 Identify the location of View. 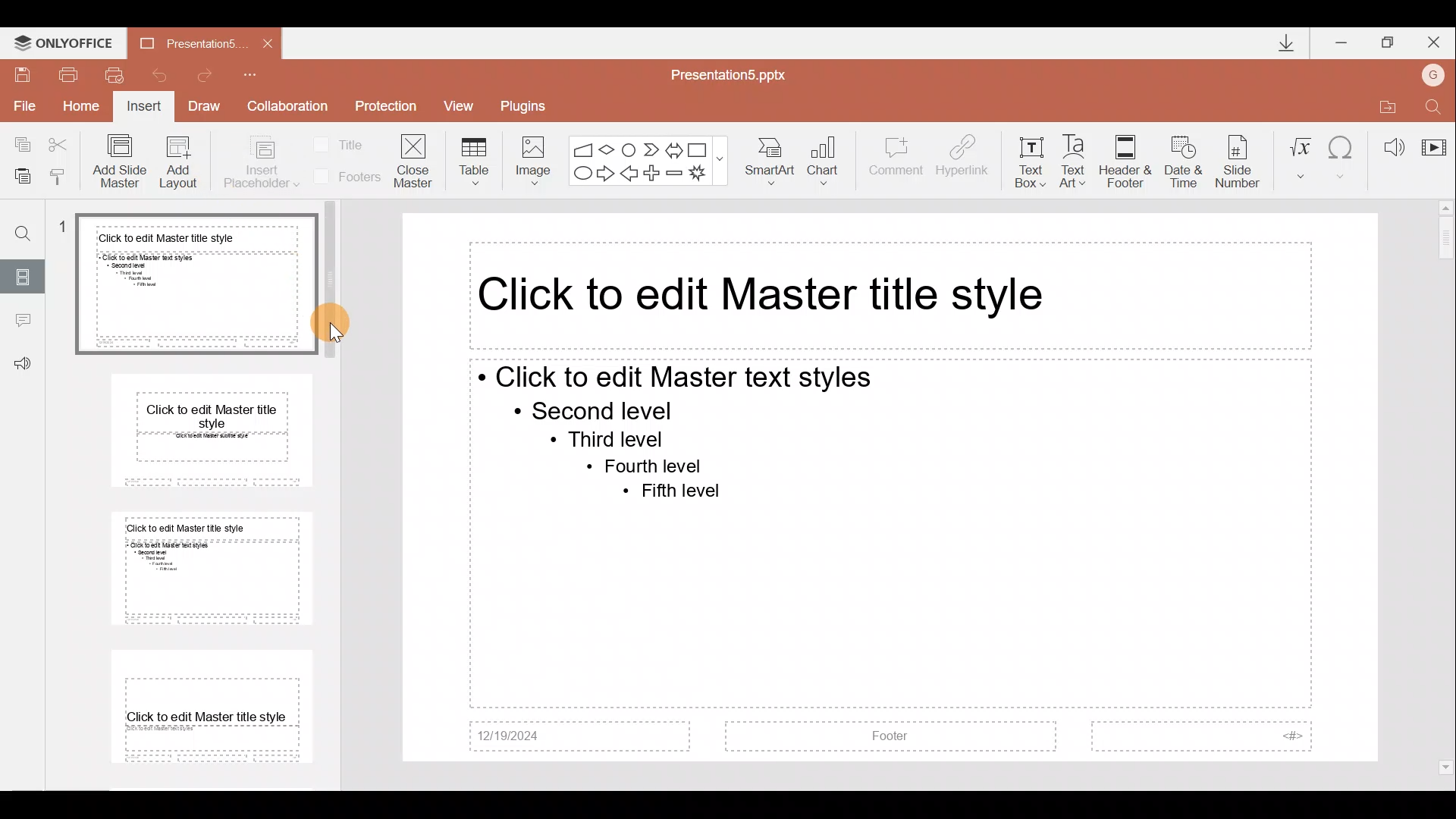
(464, 105).